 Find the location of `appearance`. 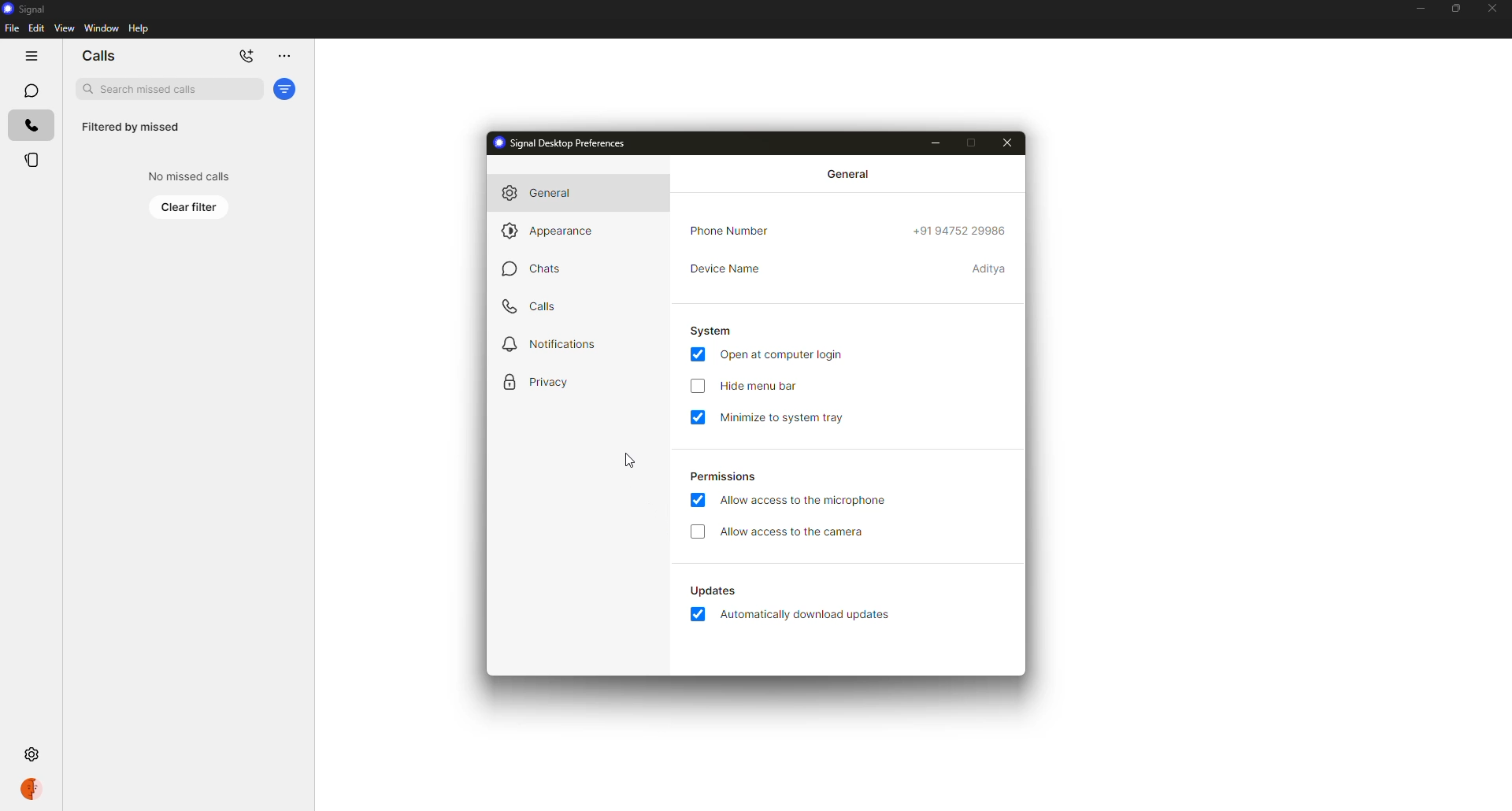

appearance is located at coordinates (554, 229).